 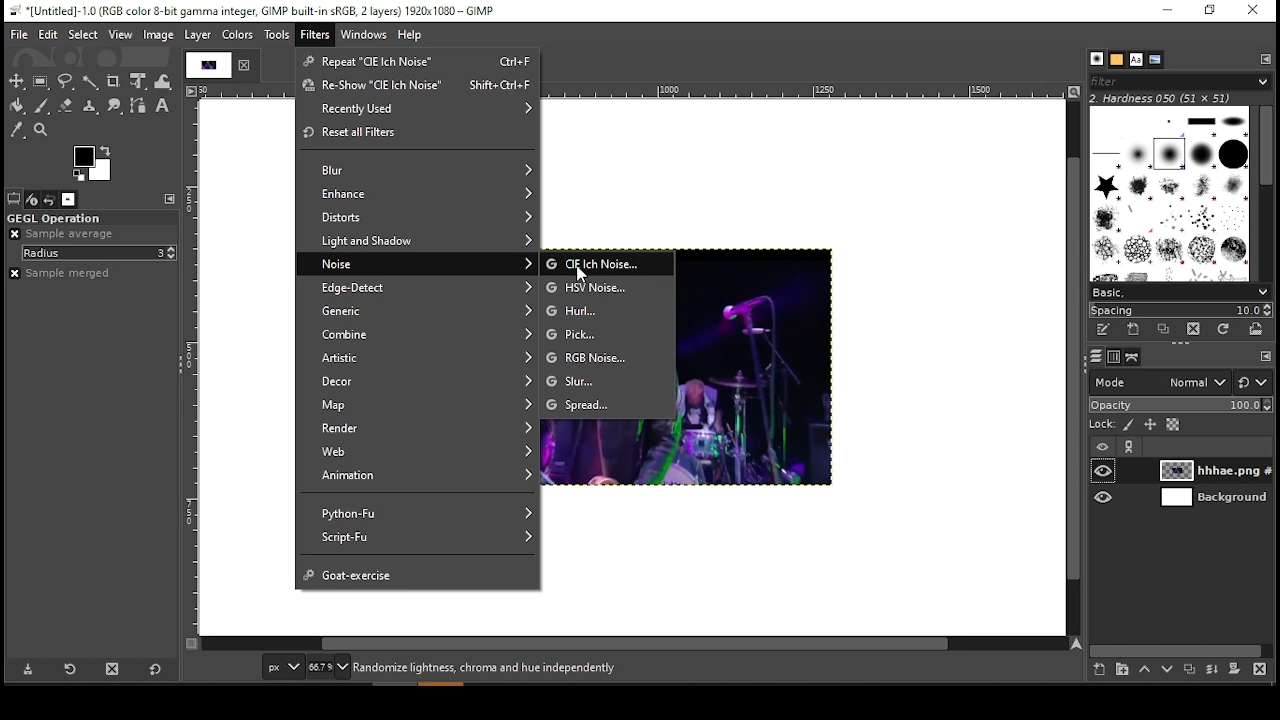 What do you see at coordinates (64, 234) in the screenshot?
I see `sample average` at bounding box center [64, 234].